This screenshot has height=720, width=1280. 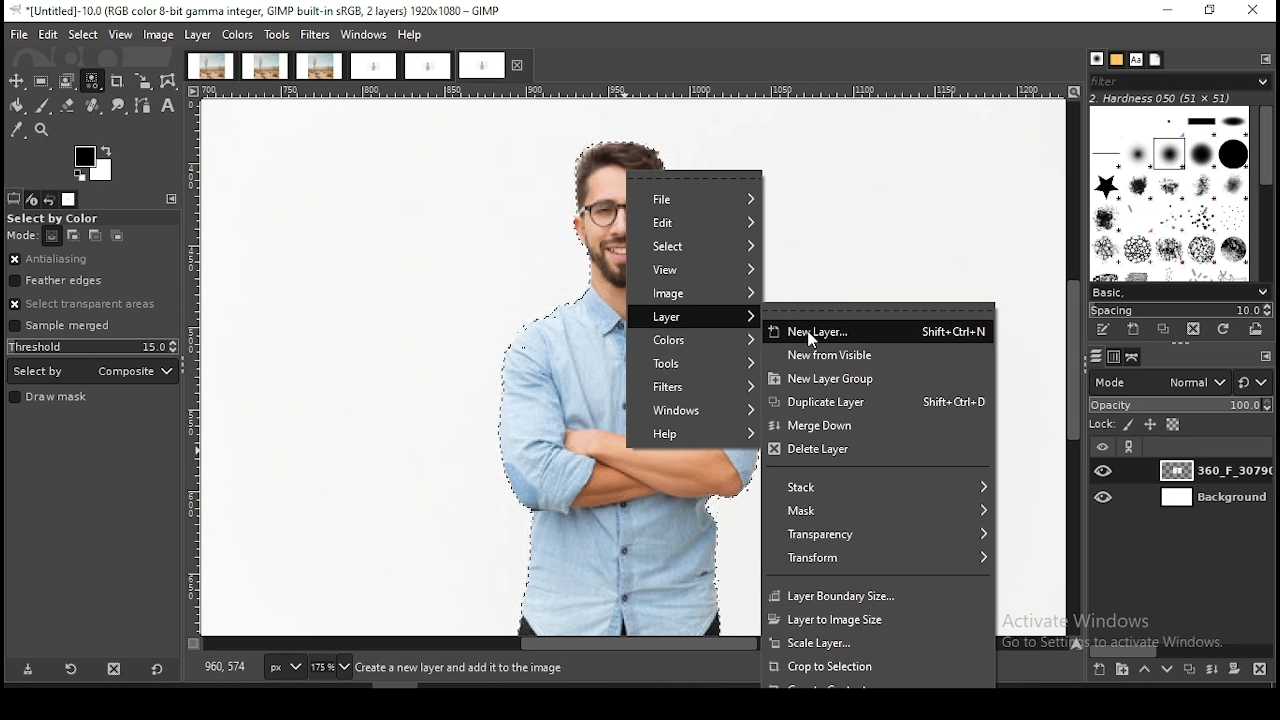 What do you see at coordinates (41, 81) in the screenshot?
I see `rectangle select tool` at bounding box center [41, 81].